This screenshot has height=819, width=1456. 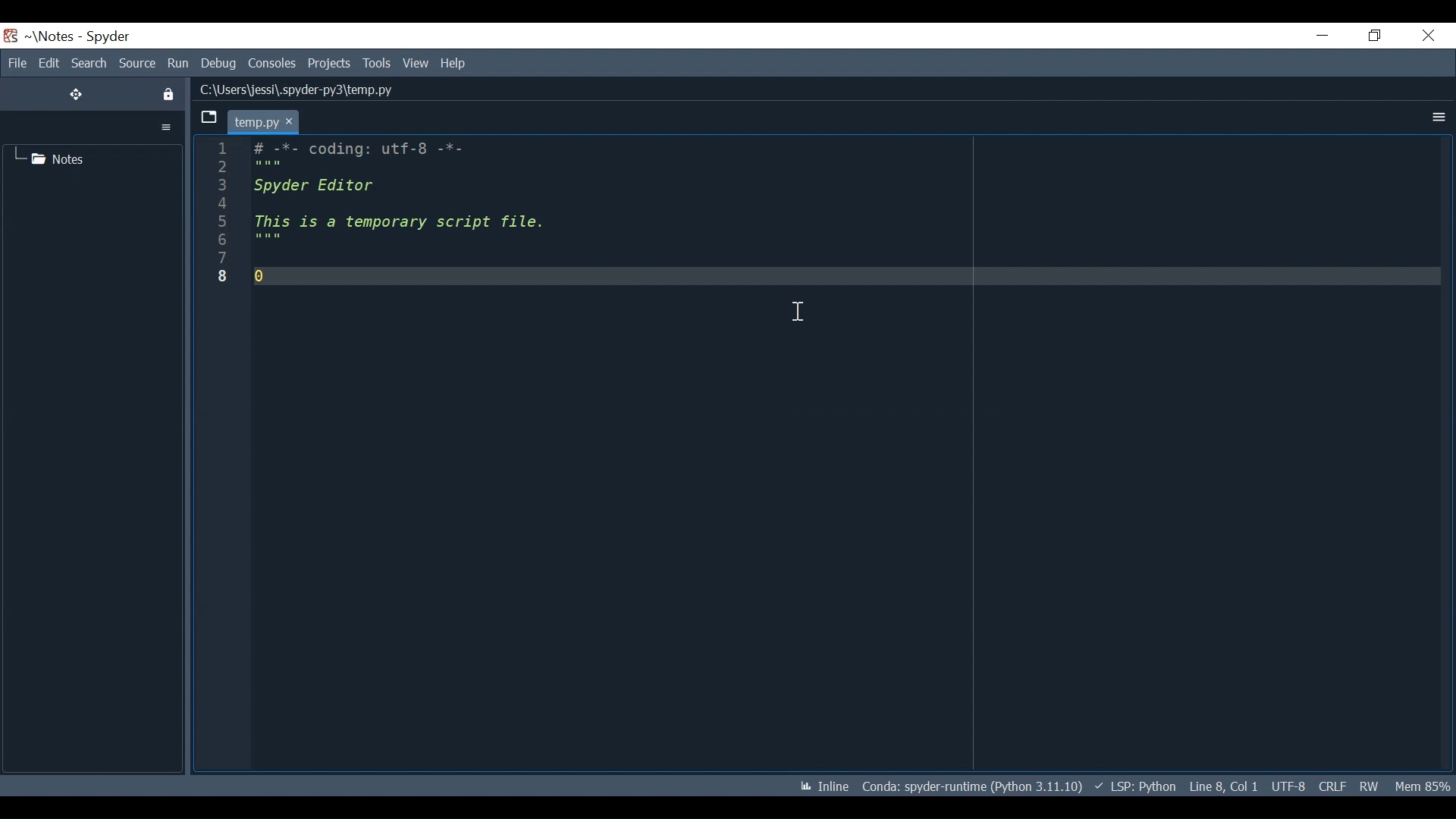 What do you see at coordinates (178, 64) in the screenshot?
I see `Run` at bounding box center [178, 64].